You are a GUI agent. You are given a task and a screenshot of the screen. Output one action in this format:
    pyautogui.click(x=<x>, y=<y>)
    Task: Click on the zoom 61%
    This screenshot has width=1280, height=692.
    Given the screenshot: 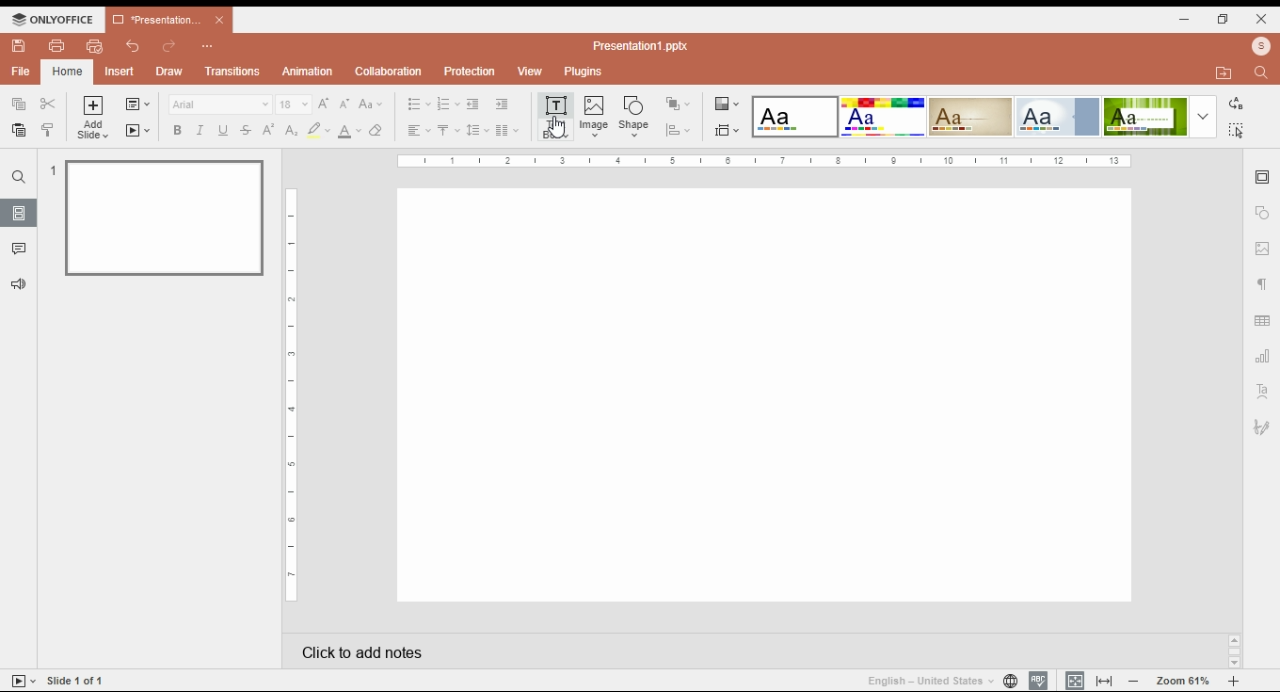 What is the action you would take?
    pyautogui.click(x=1181, y=681)
    